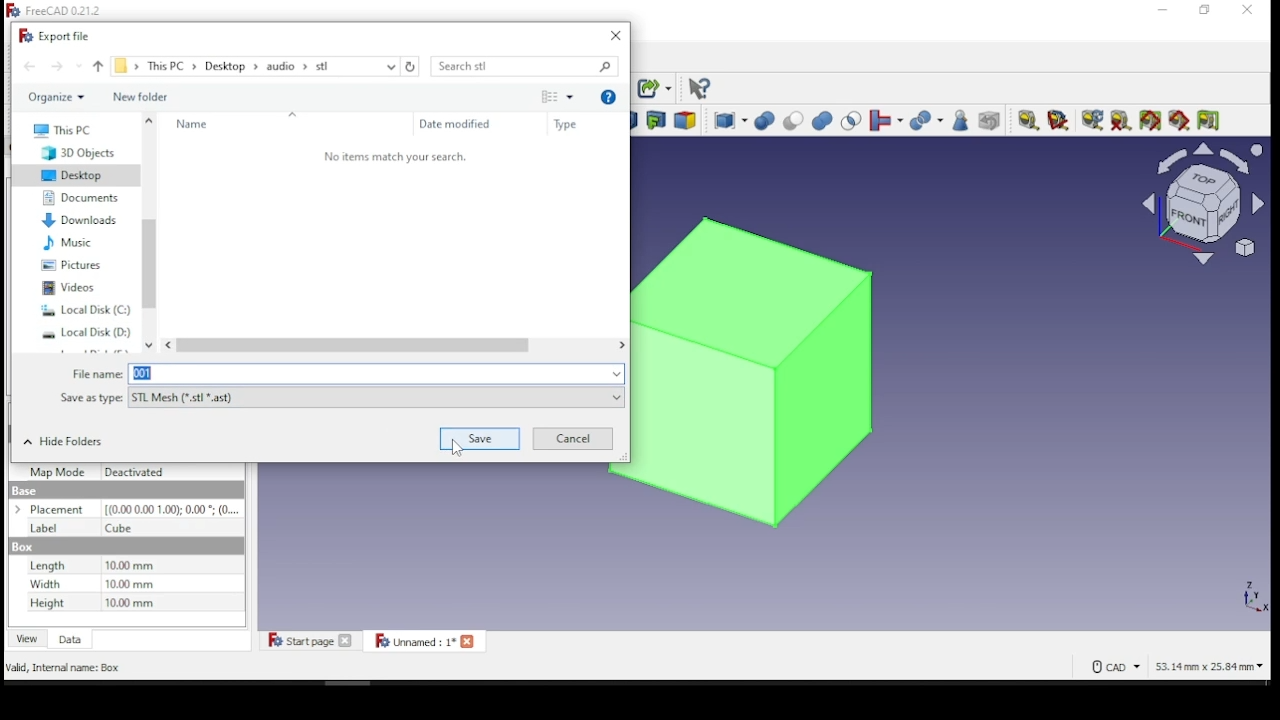 Image resolution: width=1280 pixels, height=720 pixels. What do you see at coordinates (138, 472) in the screenshot?
I see `Deactivated` at bounding box center [138, 472].